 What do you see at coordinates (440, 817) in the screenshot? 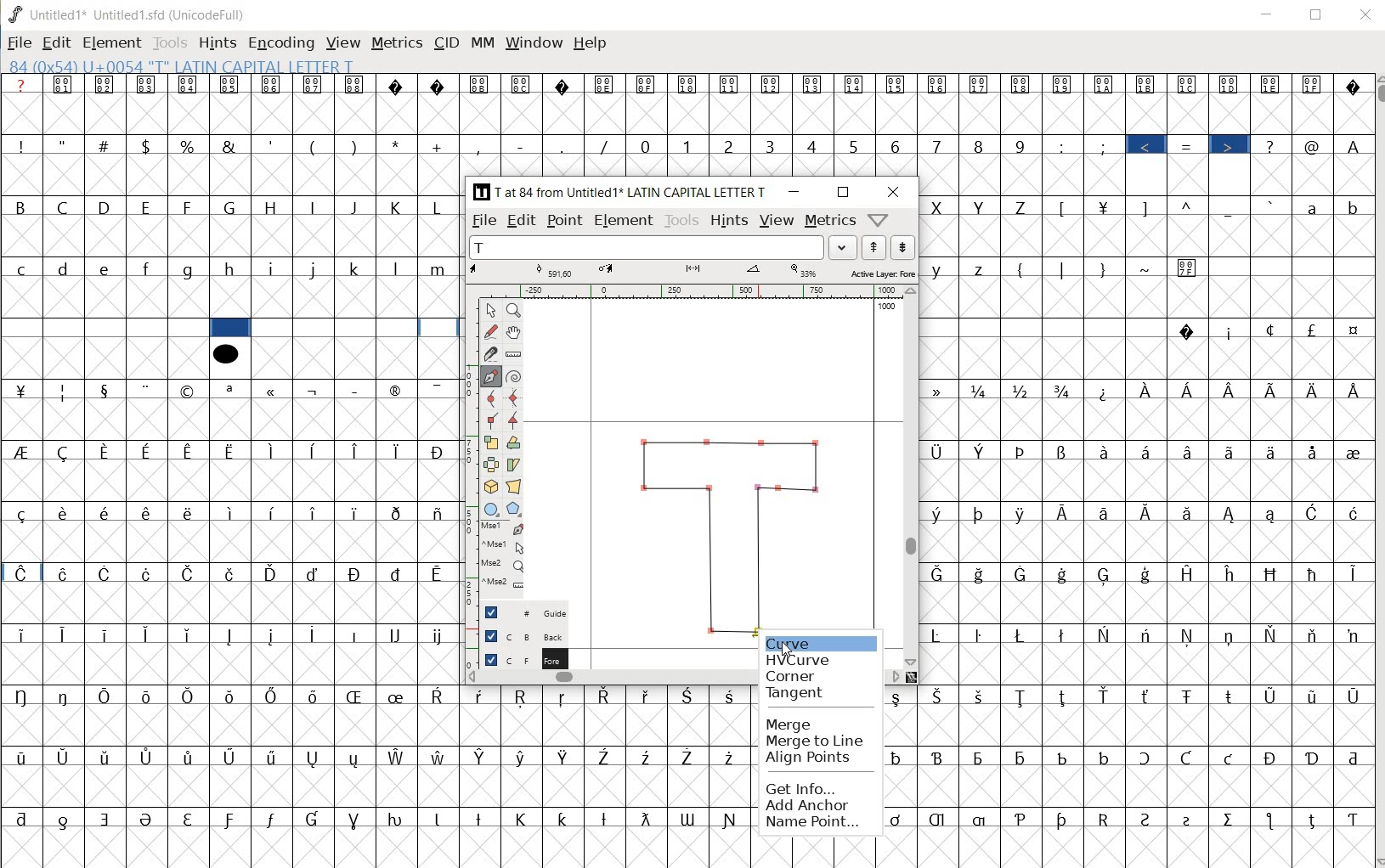
I see `Symbol` at bounding box center [440, 817].